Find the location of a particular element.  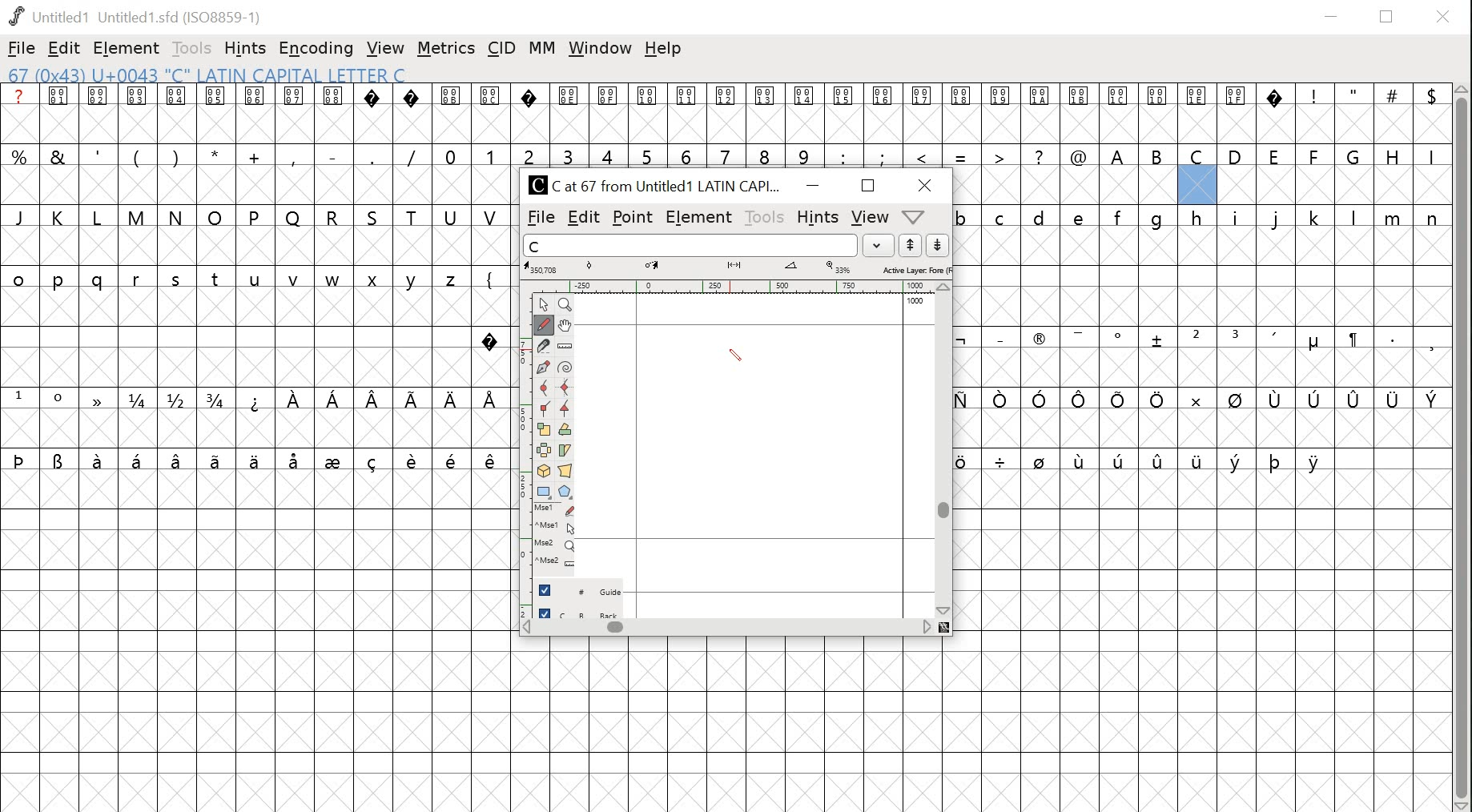

dropdown is located at coordinates (915, 215).